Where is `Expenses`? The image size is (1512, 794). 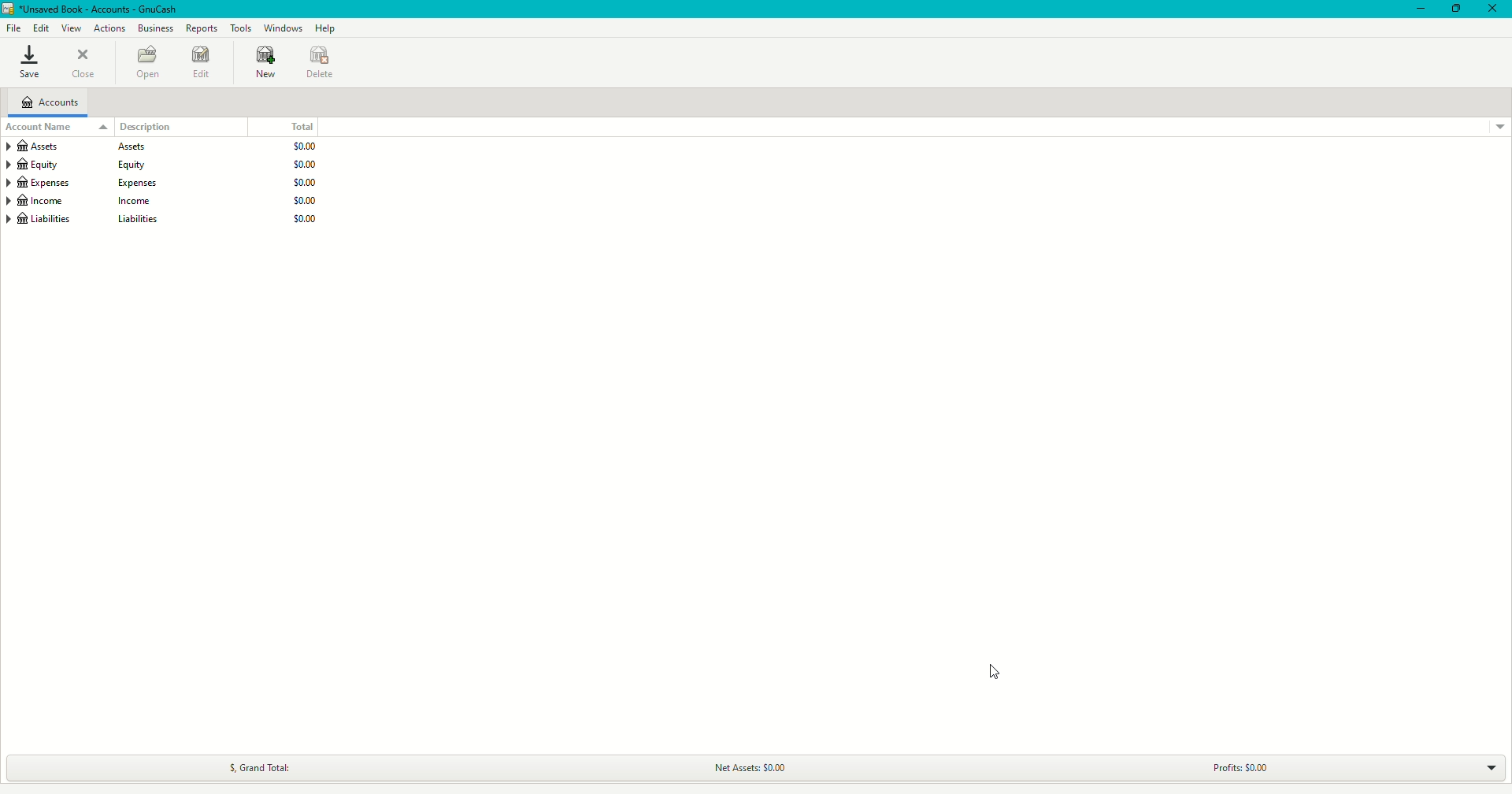
Expenses is located at coordinates (164, 183).